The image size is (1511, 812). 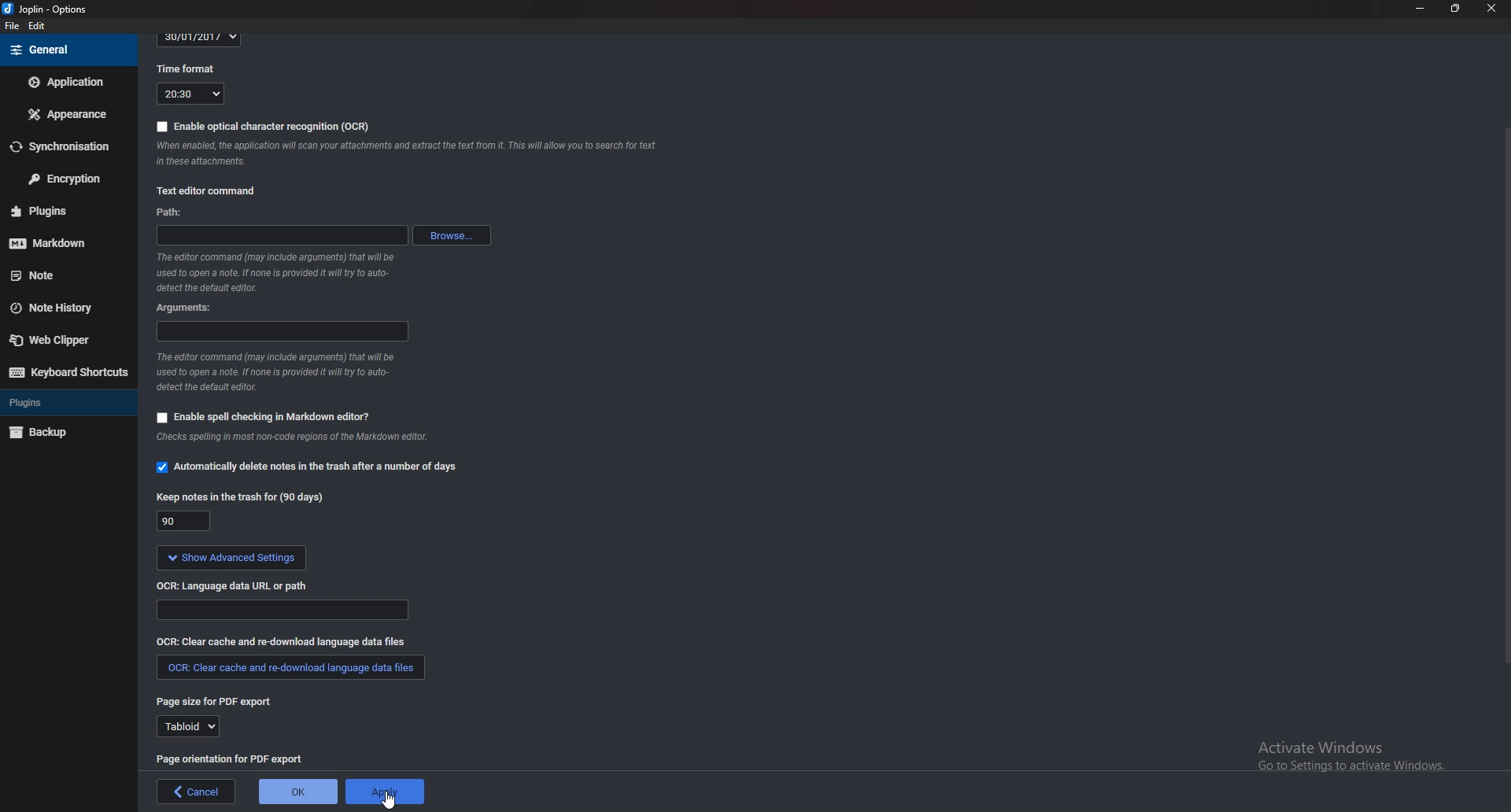 What do you see at coordinates (190, 94) in the screenshot?
I see `20:30` at bounding box center [190, 94].